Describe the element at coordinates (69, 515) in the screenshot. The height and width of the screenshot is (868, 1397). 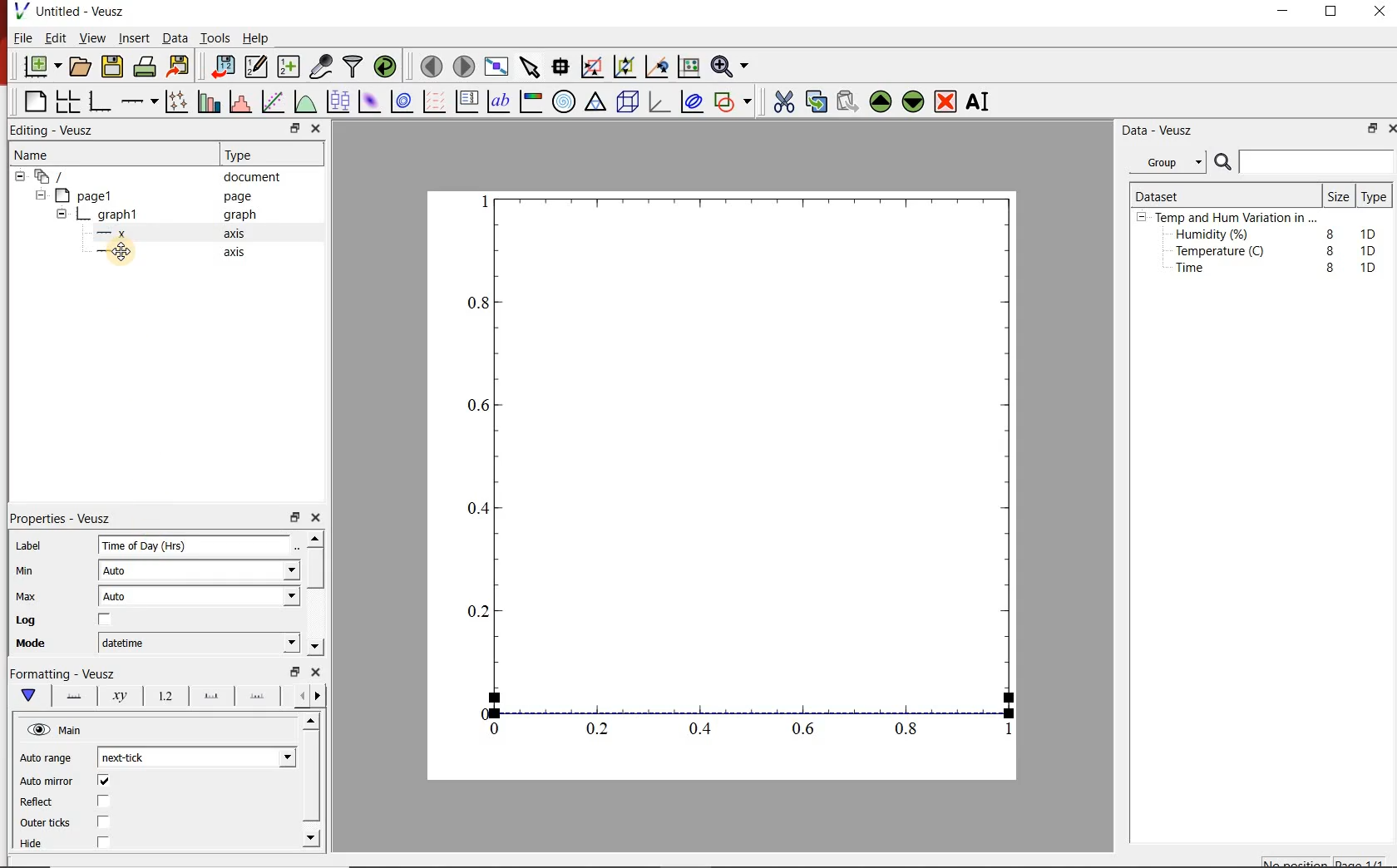
I see `Properties - Veusz` at that location.